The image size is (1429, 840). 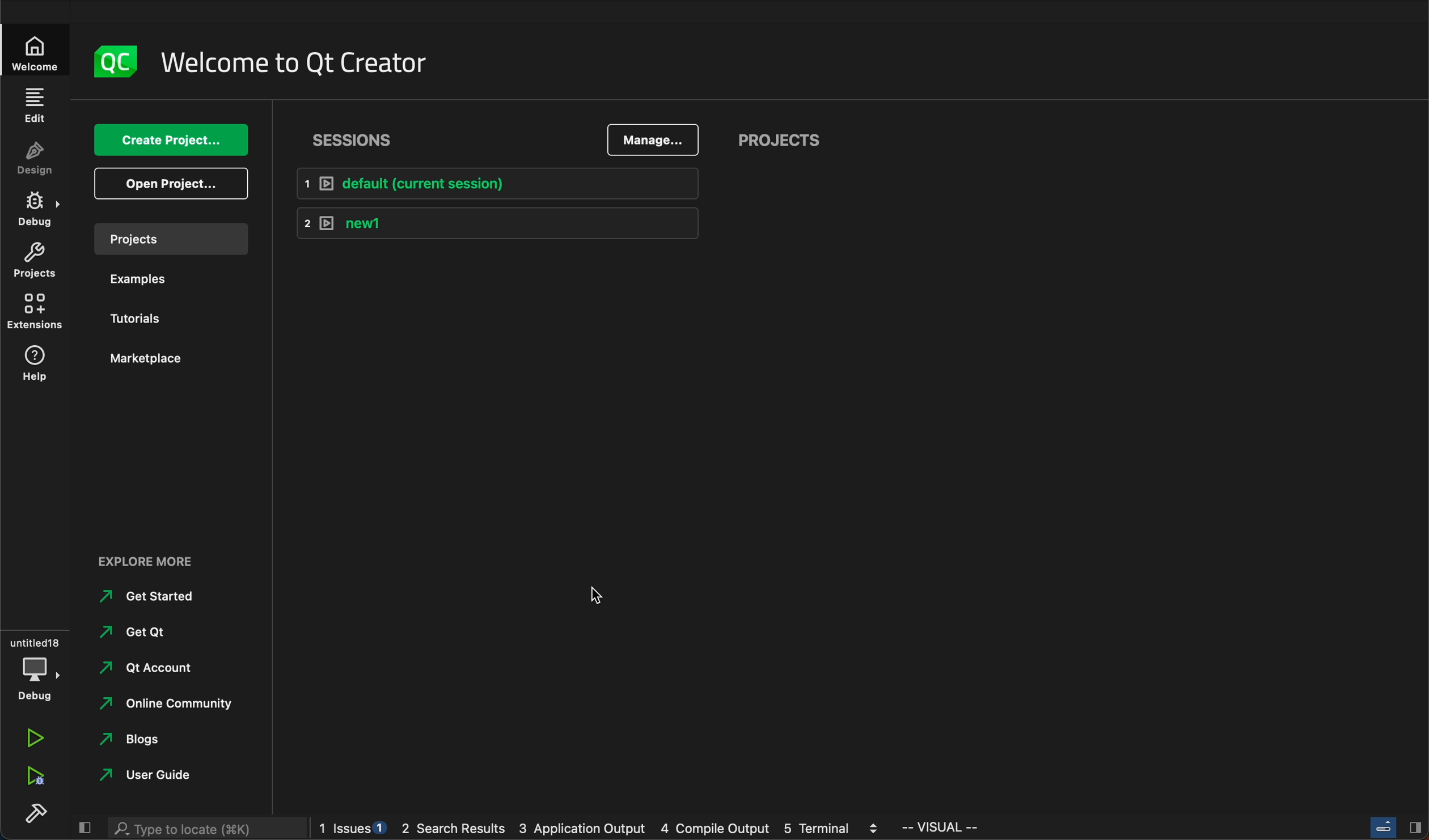 I want to click on build, so click(x=34, y=816).